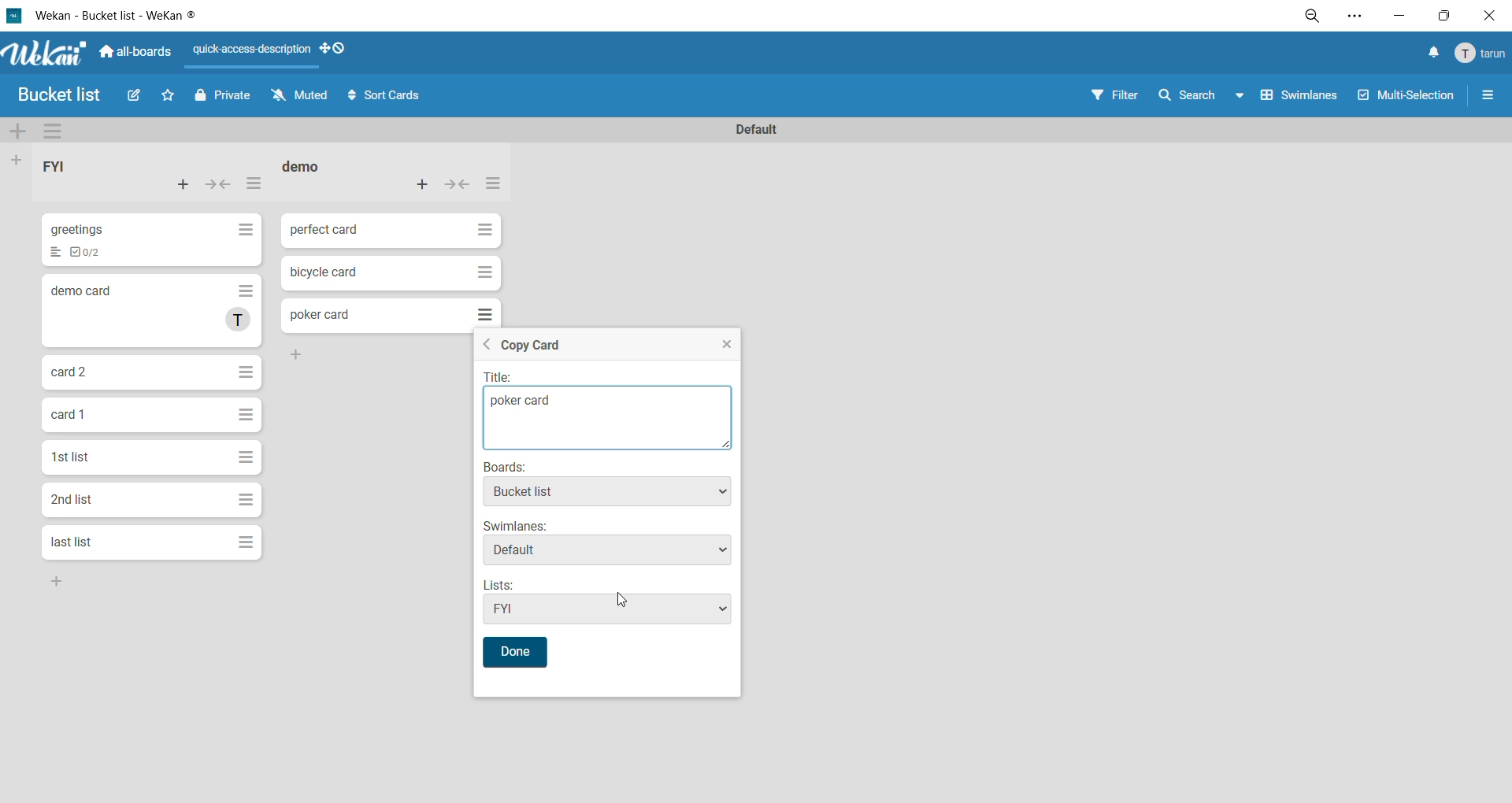  Describe the element at coordinates (1408, 96) in the screenshot. I see `multiselection` at that location.